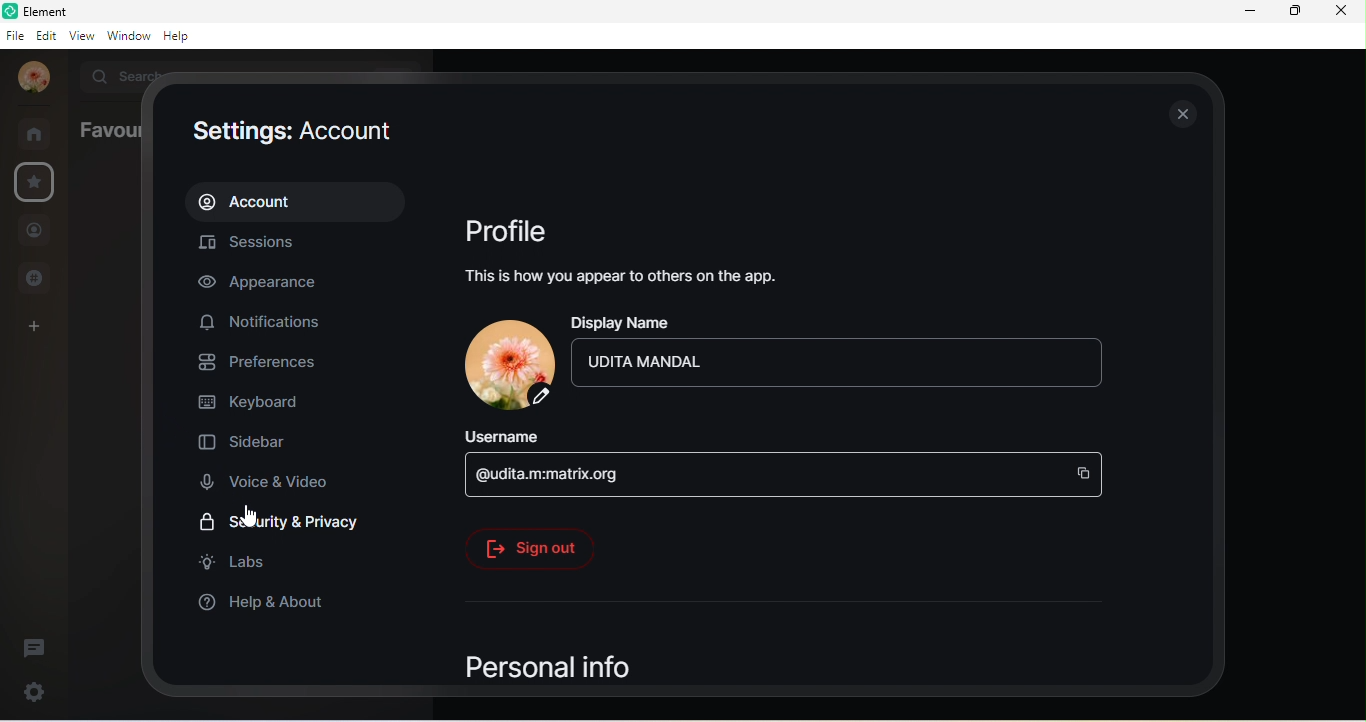  What do you see at coordinates (619, 277) in the screenshot?
I see `this is how you appear to others on the app` at bounding box center [619, 277].